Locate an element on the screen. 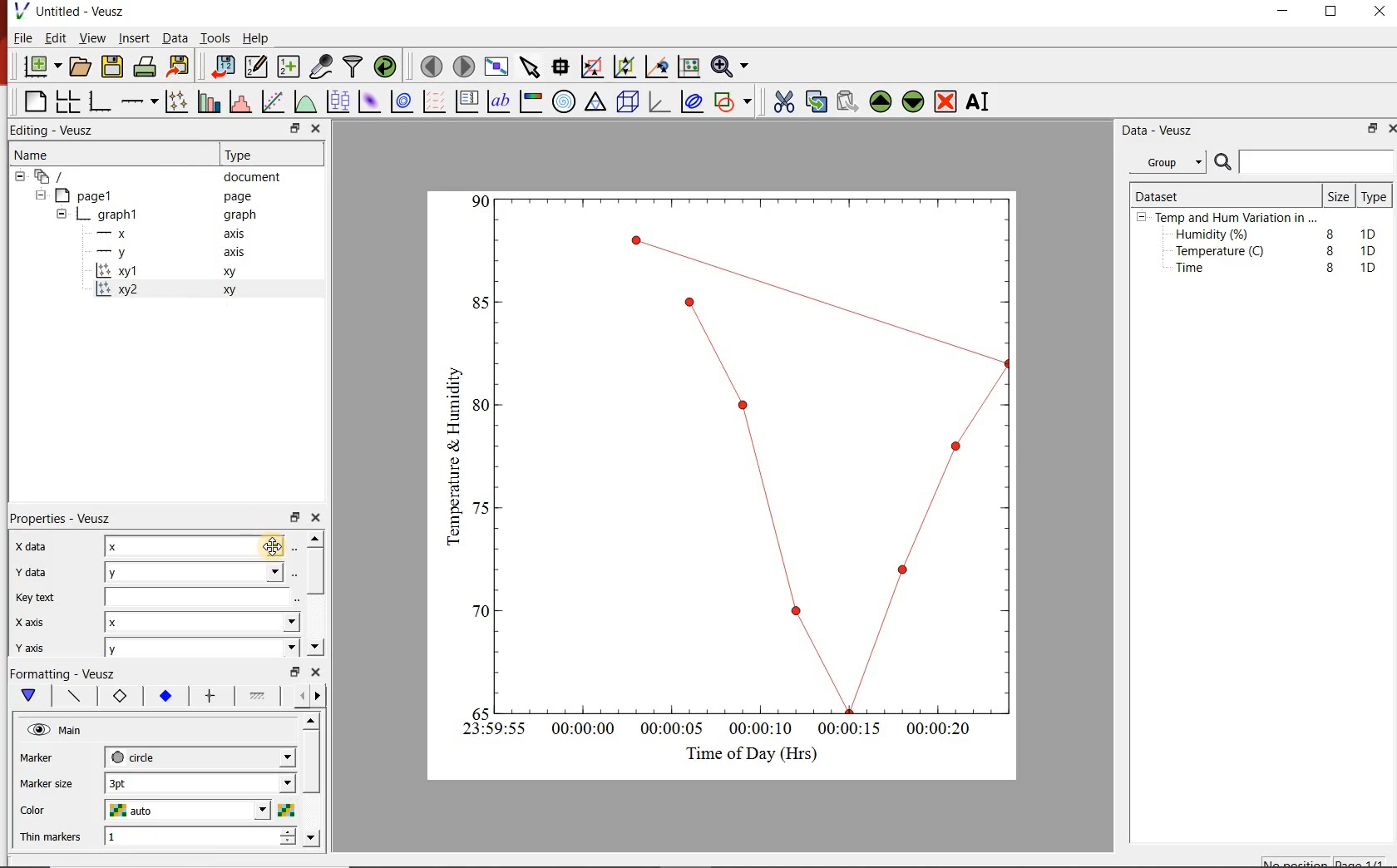 This screenshot has width=1397, height=868. Editing - Veusz is located at coordinates (57, 130).